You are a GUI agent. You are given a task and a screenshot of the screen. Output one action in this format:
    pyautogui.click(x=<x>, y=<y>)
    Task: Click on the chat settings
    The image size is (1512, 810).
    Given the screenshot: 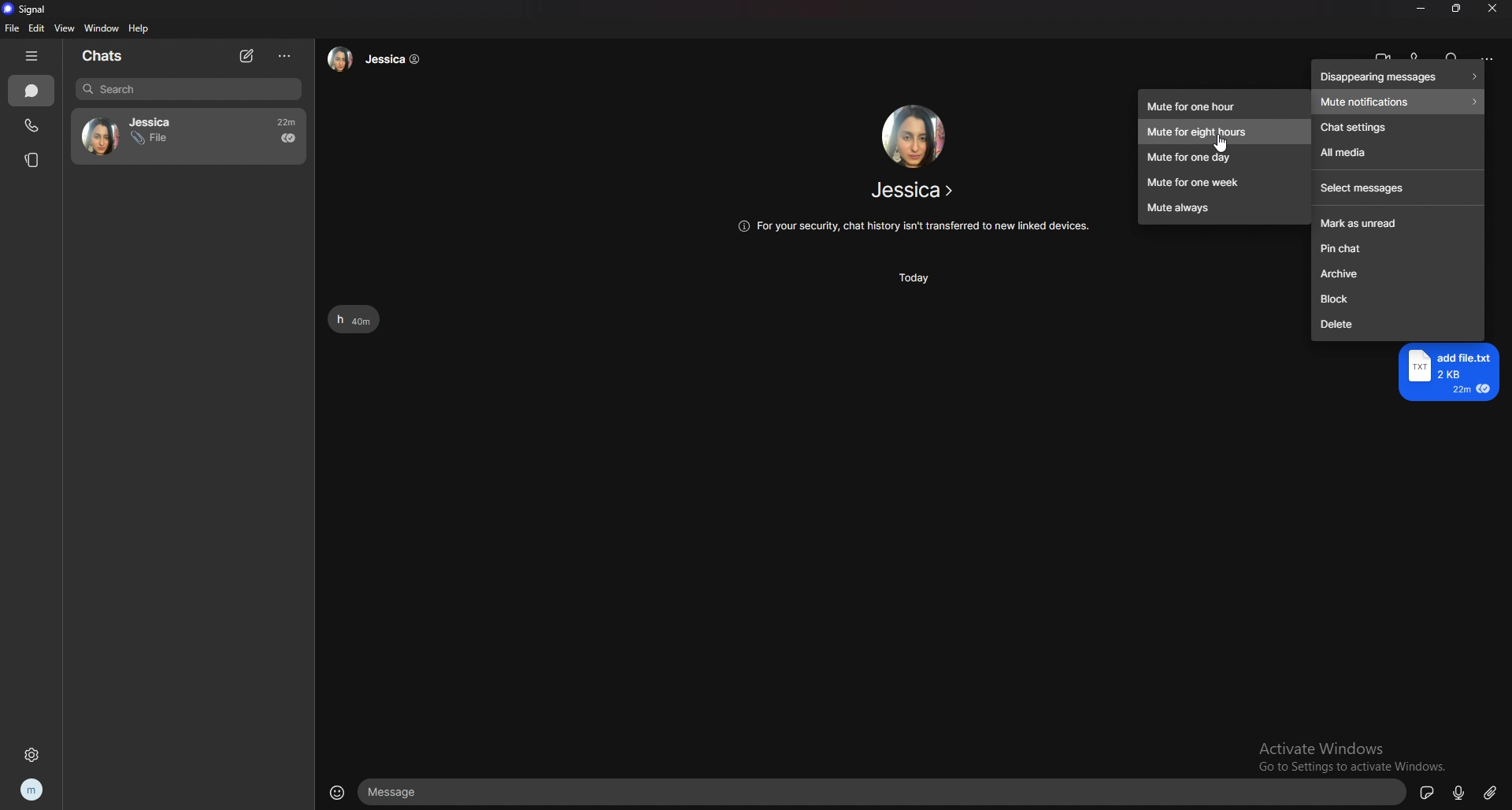 What is the action you would take?
    pyautogui.click(x=1399, y=128)
    